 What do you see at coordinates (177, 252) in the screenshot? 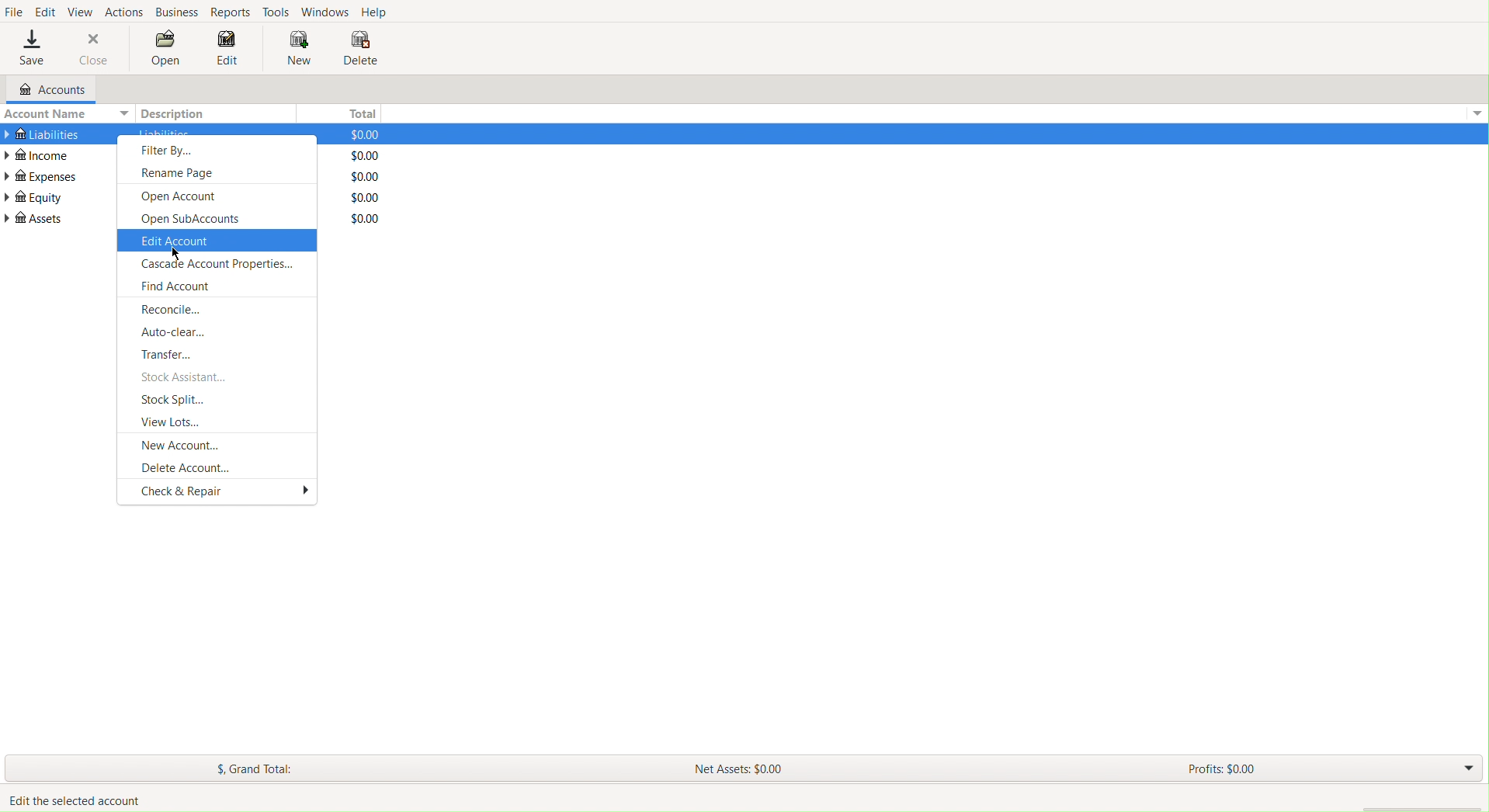
I see `cursor` at bounding box center [177, 252].